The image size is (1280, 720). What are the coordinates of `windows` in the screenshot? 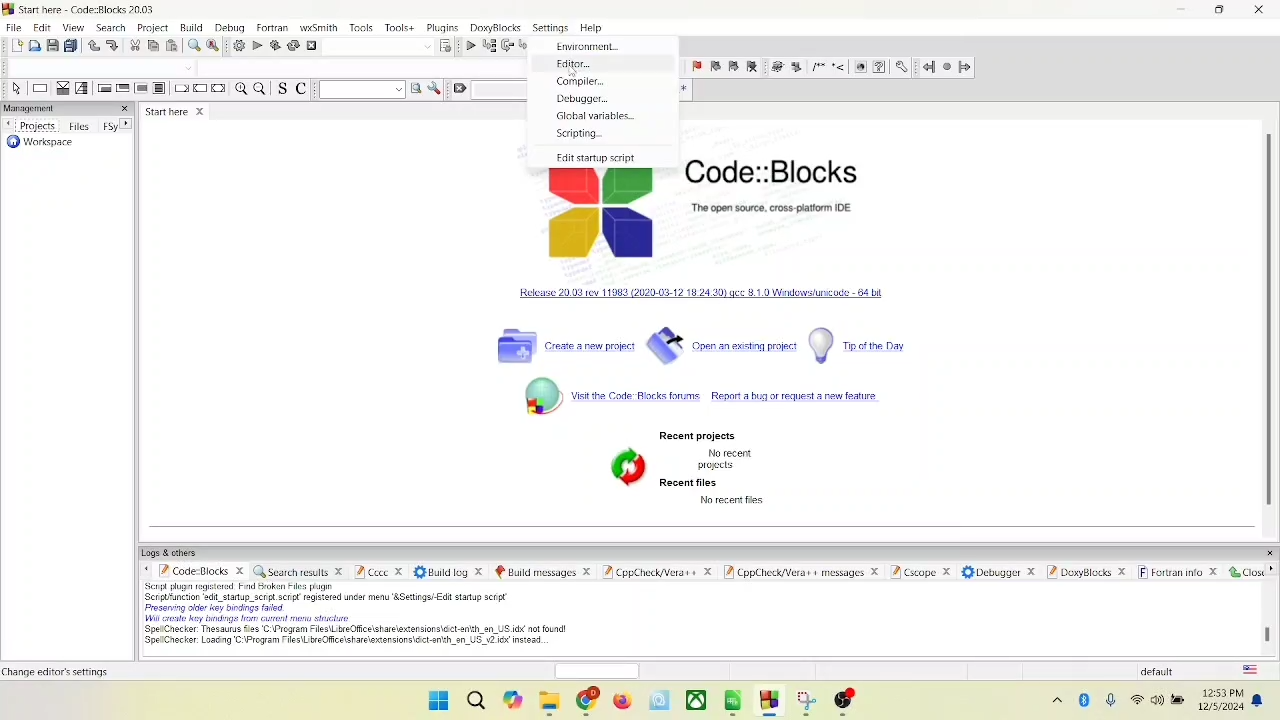 It's located at (438, 701).